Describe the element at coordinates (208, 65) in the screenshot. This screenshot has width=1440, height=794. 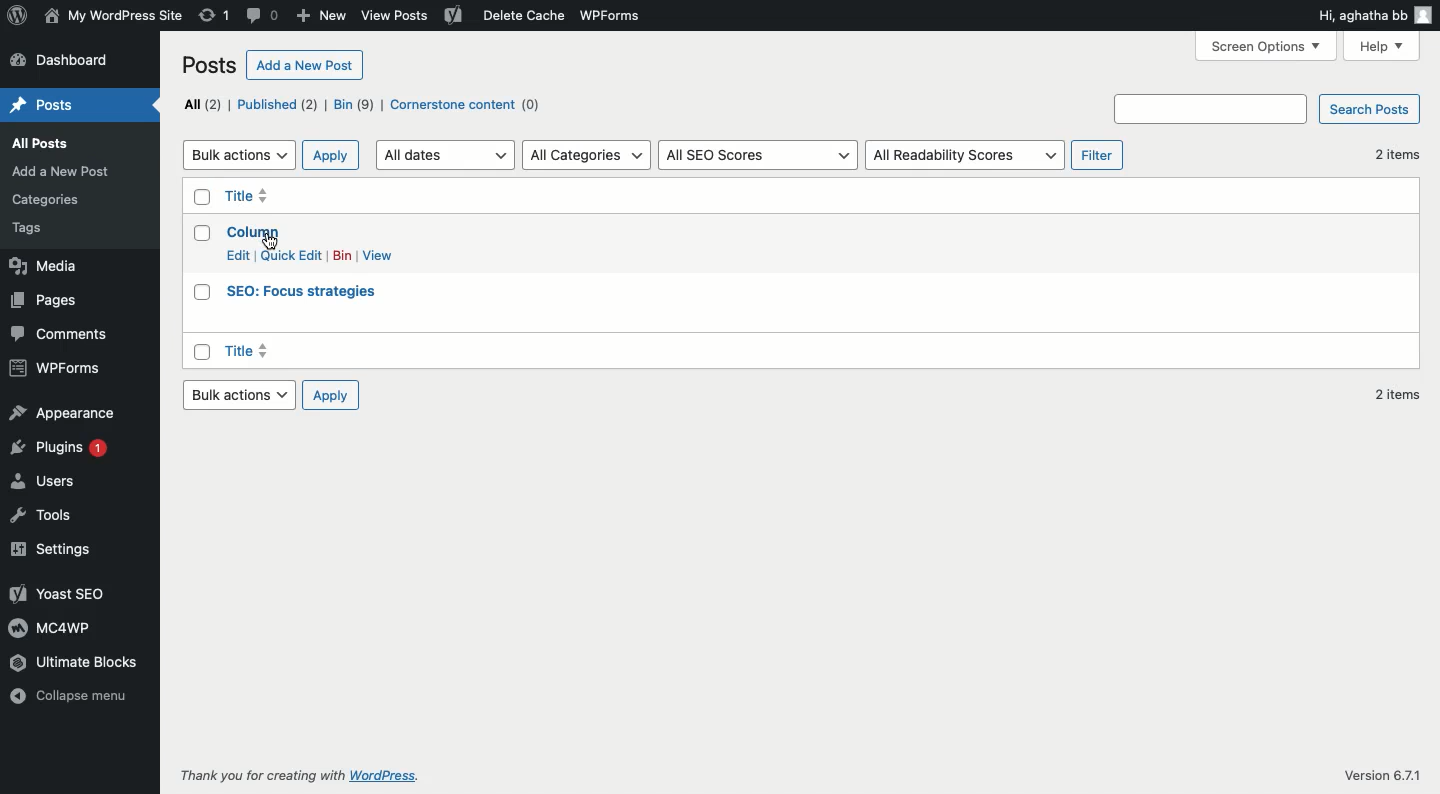
I see `Posts` at that location.